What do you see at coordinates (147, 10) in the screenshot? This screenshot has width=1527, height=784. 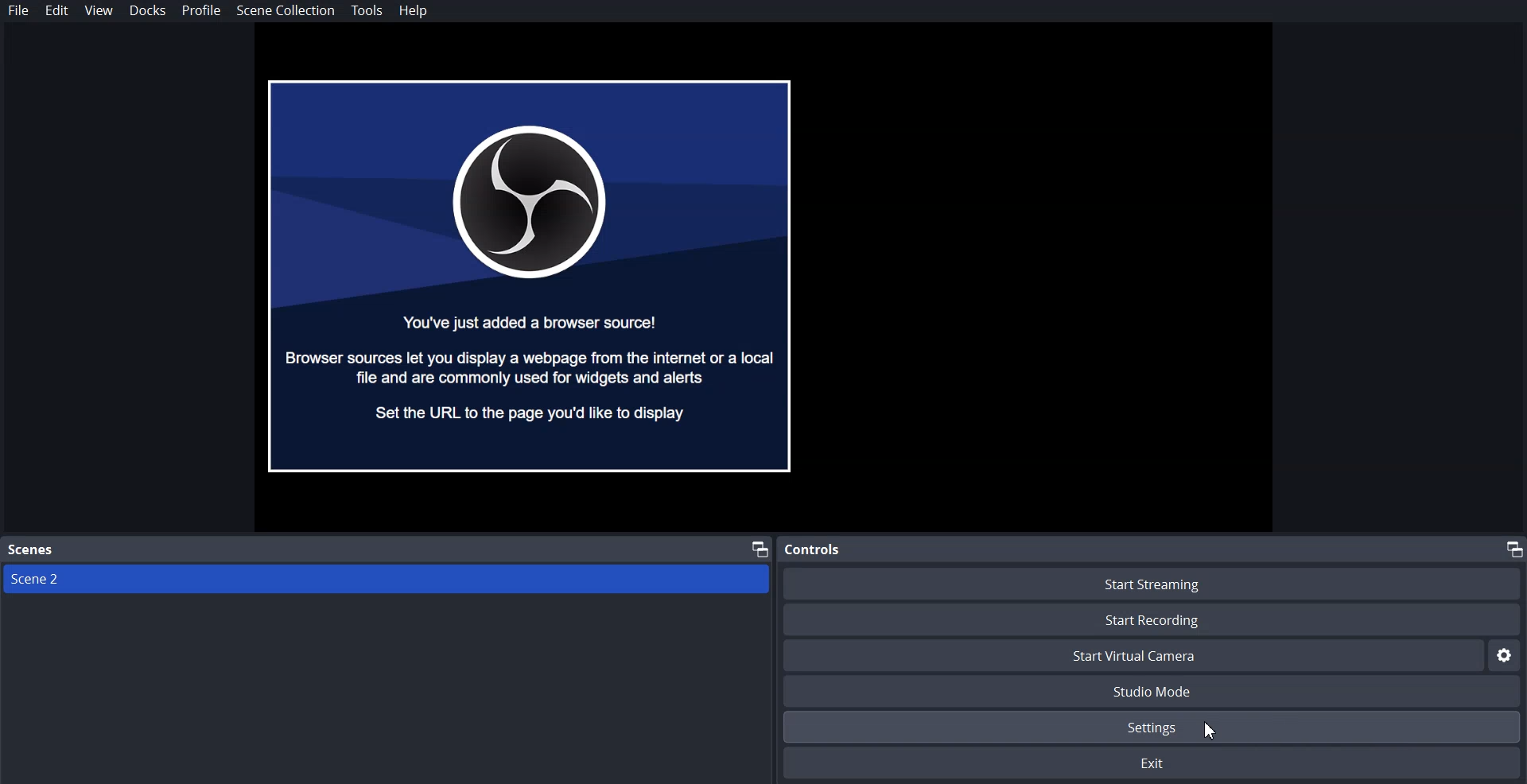 I see `Docks` at bounding box center [147, 10].